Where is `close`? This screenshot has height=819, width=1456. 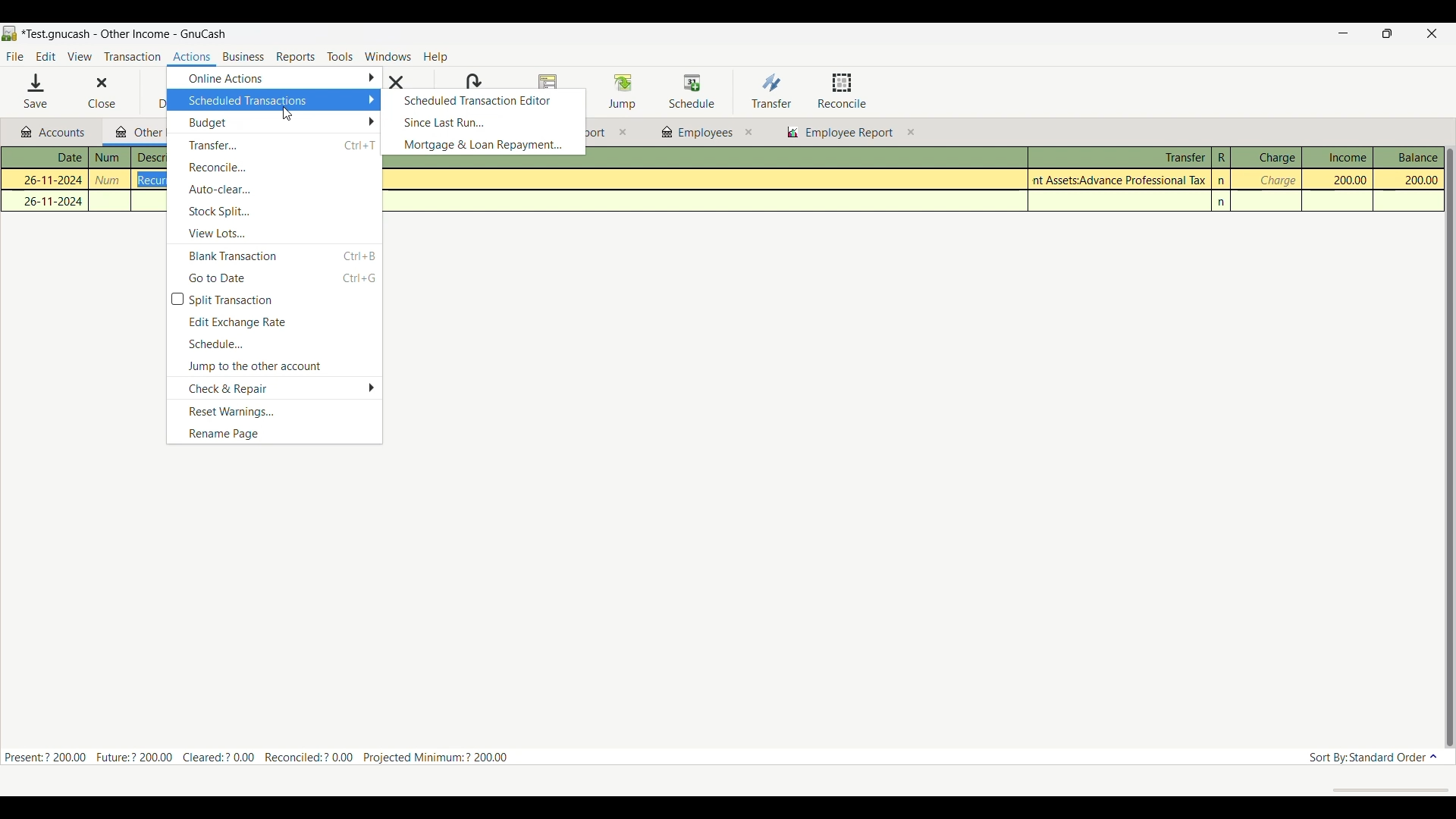 close is located at coordinates (748, 132).